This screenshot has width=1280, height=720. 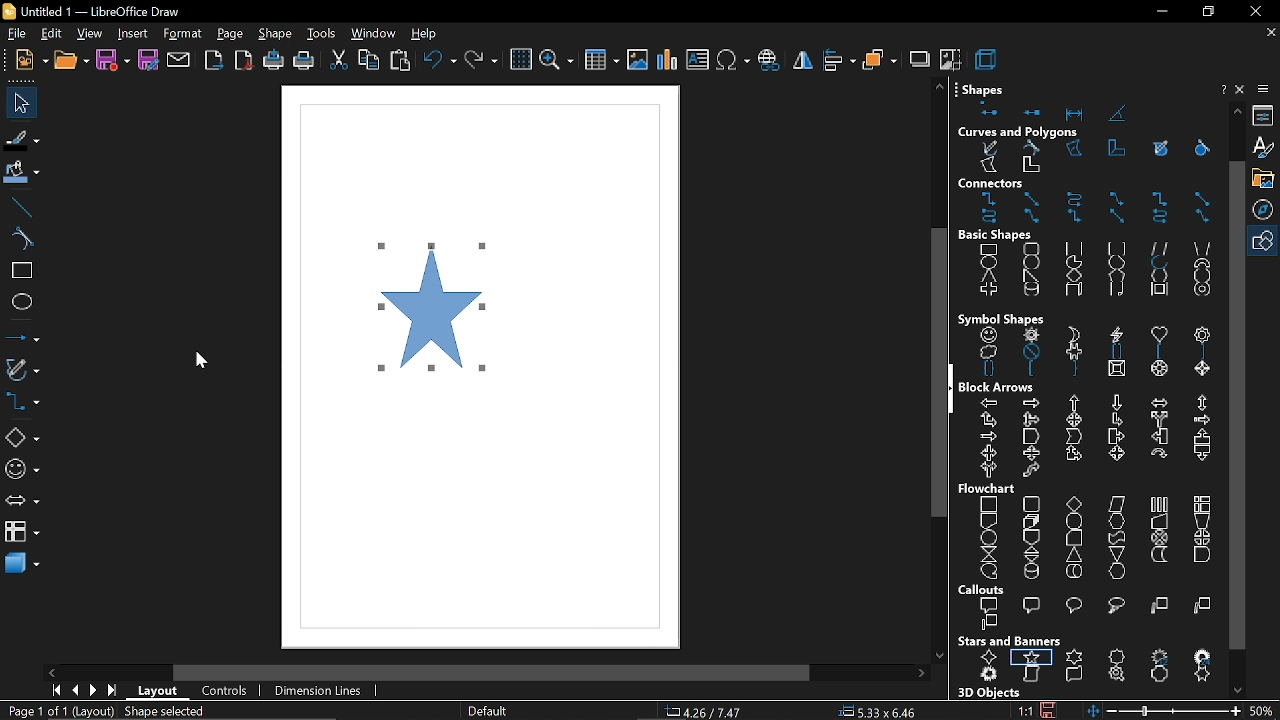 I want to click on print directly, so click(x=271, y=61).